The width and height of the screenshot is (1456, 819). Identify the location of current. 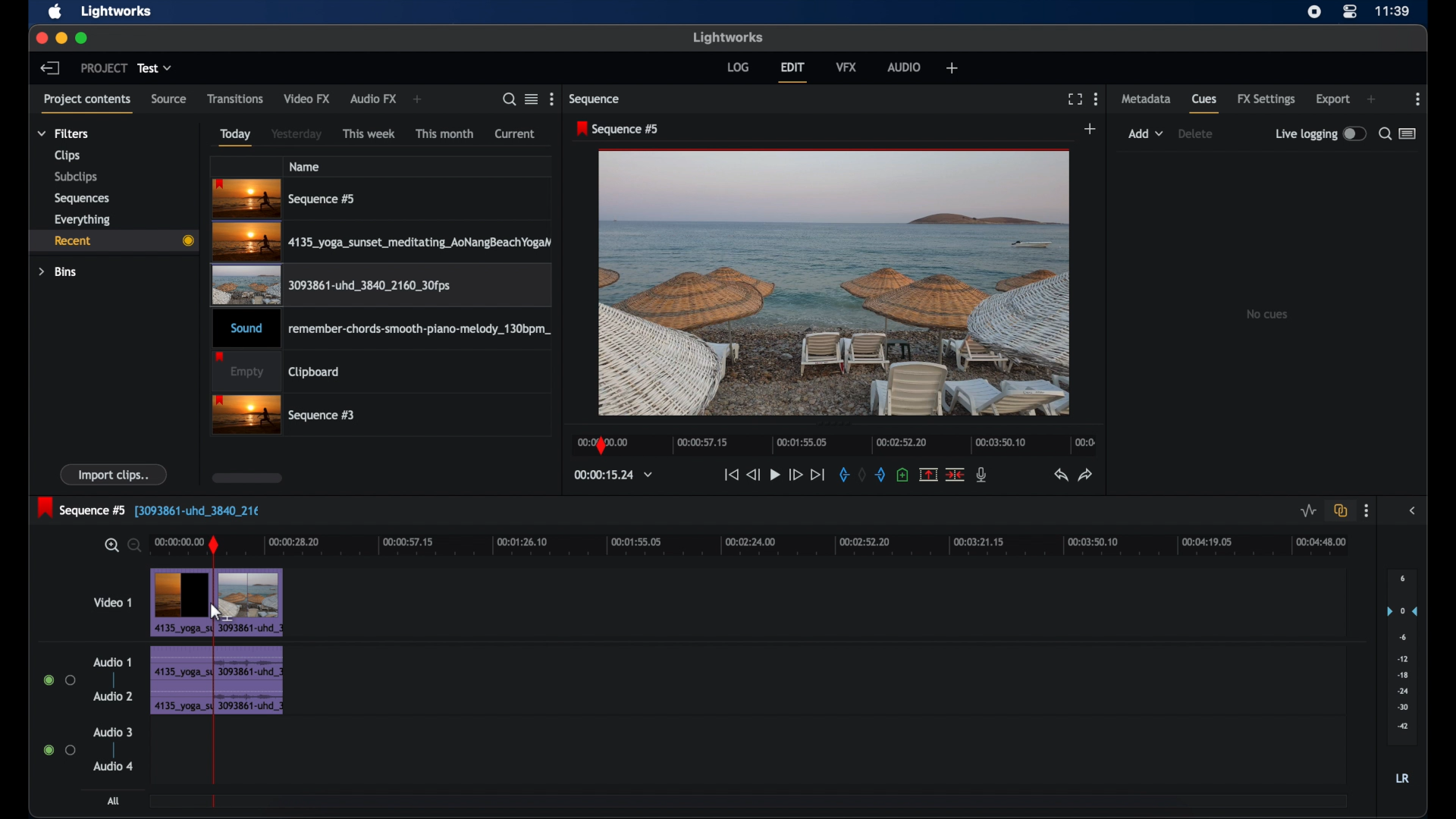
(516, 133).